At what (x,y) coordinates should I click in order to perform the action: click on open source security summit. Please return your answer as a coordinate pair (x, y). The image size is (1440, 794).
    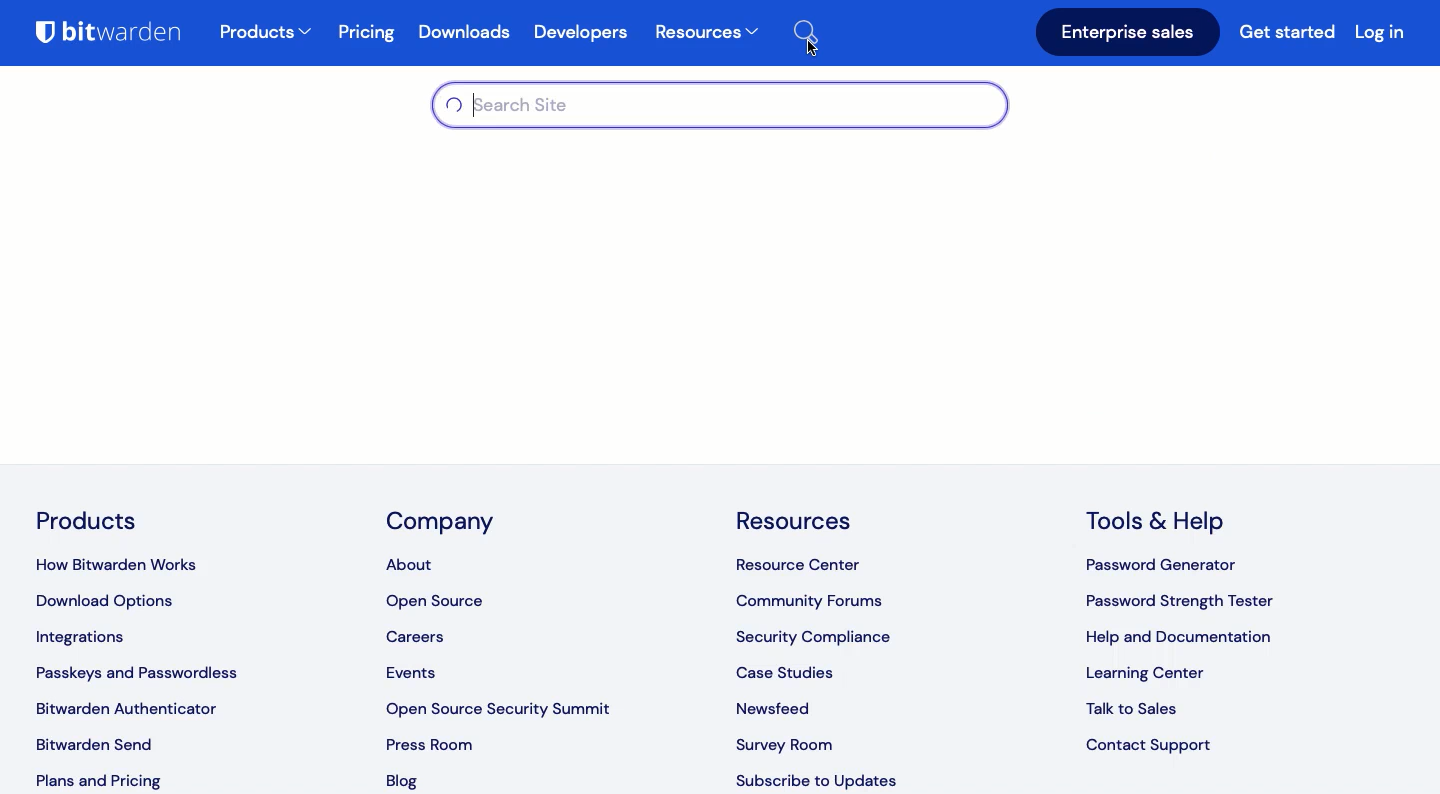
    Looking at the image, I should click on (506, 706).